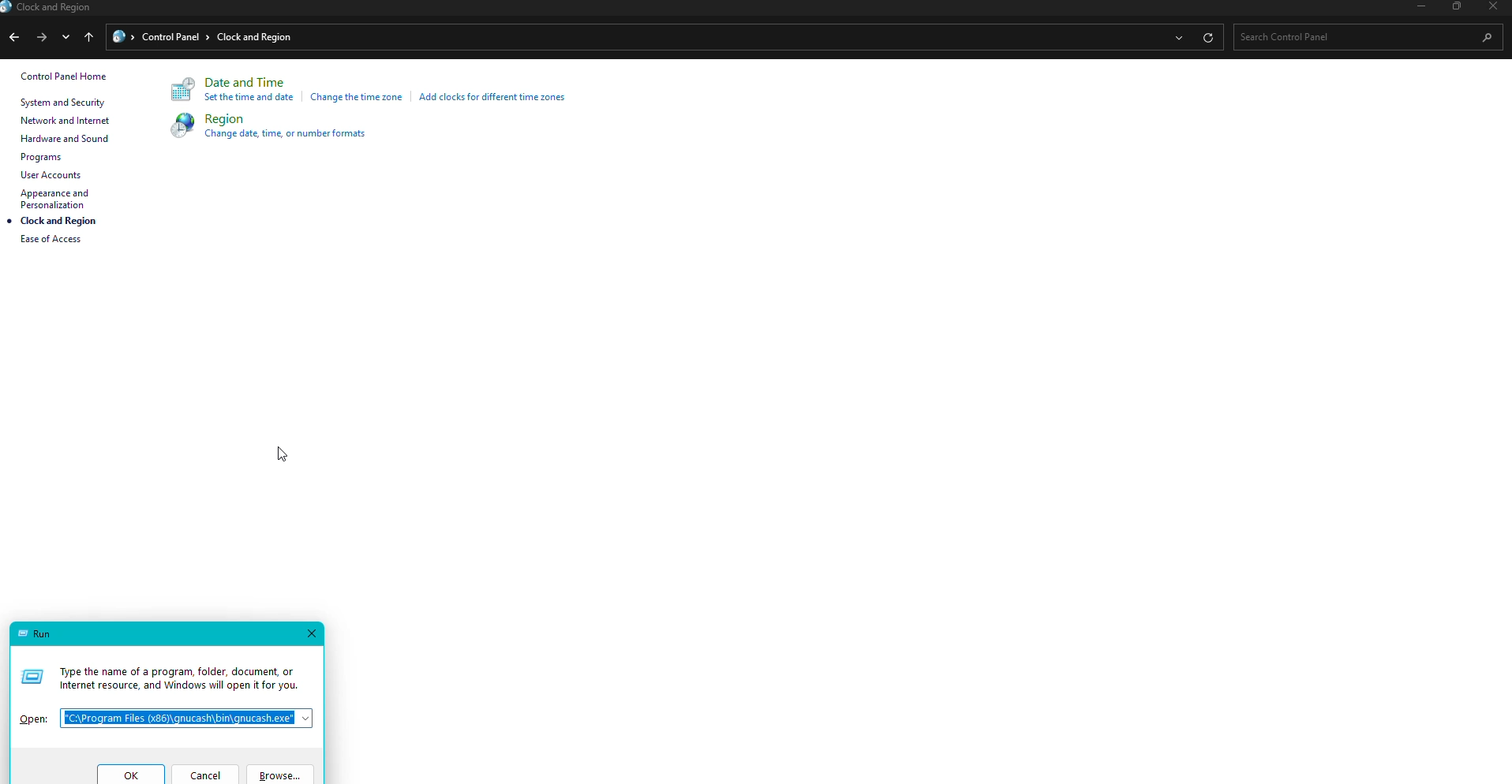 The height and width of the screenshot is (784, 1512). Describe the element at coordinates (69, 39) in the screenshot. I see `down` at that location.